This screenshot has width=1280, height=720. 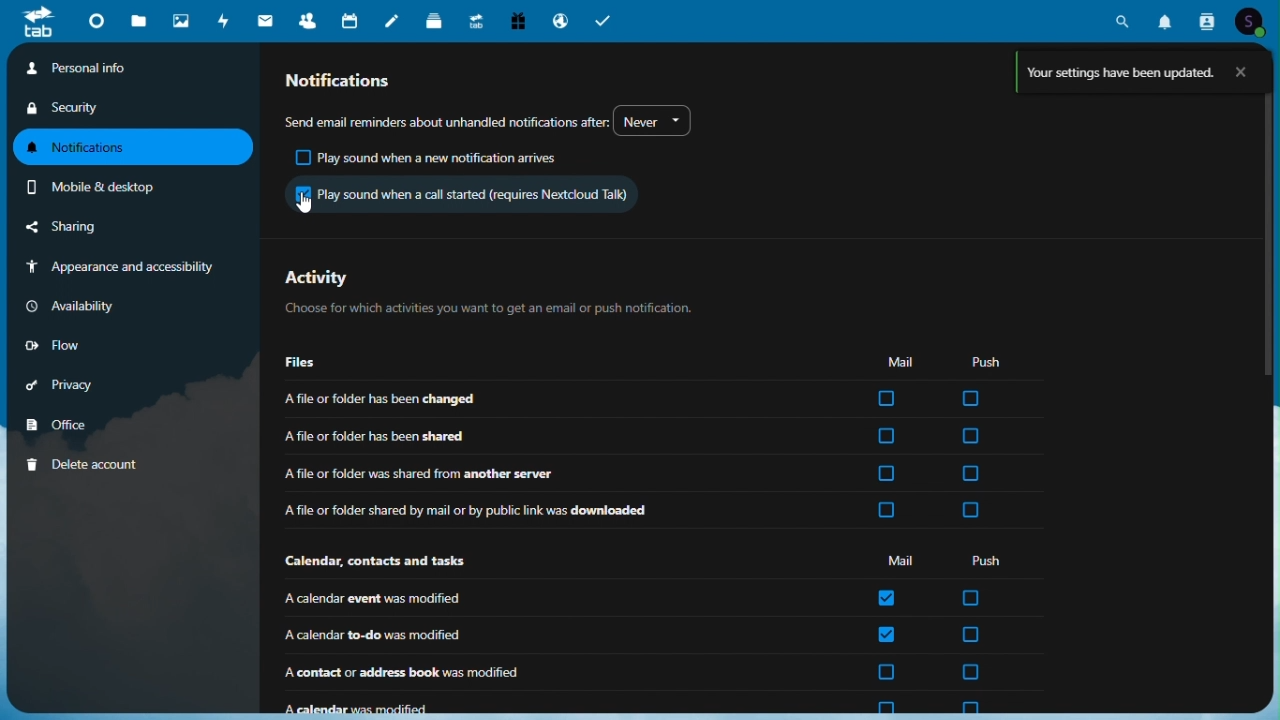 I want to click on tab, so click(x=31, y=21).